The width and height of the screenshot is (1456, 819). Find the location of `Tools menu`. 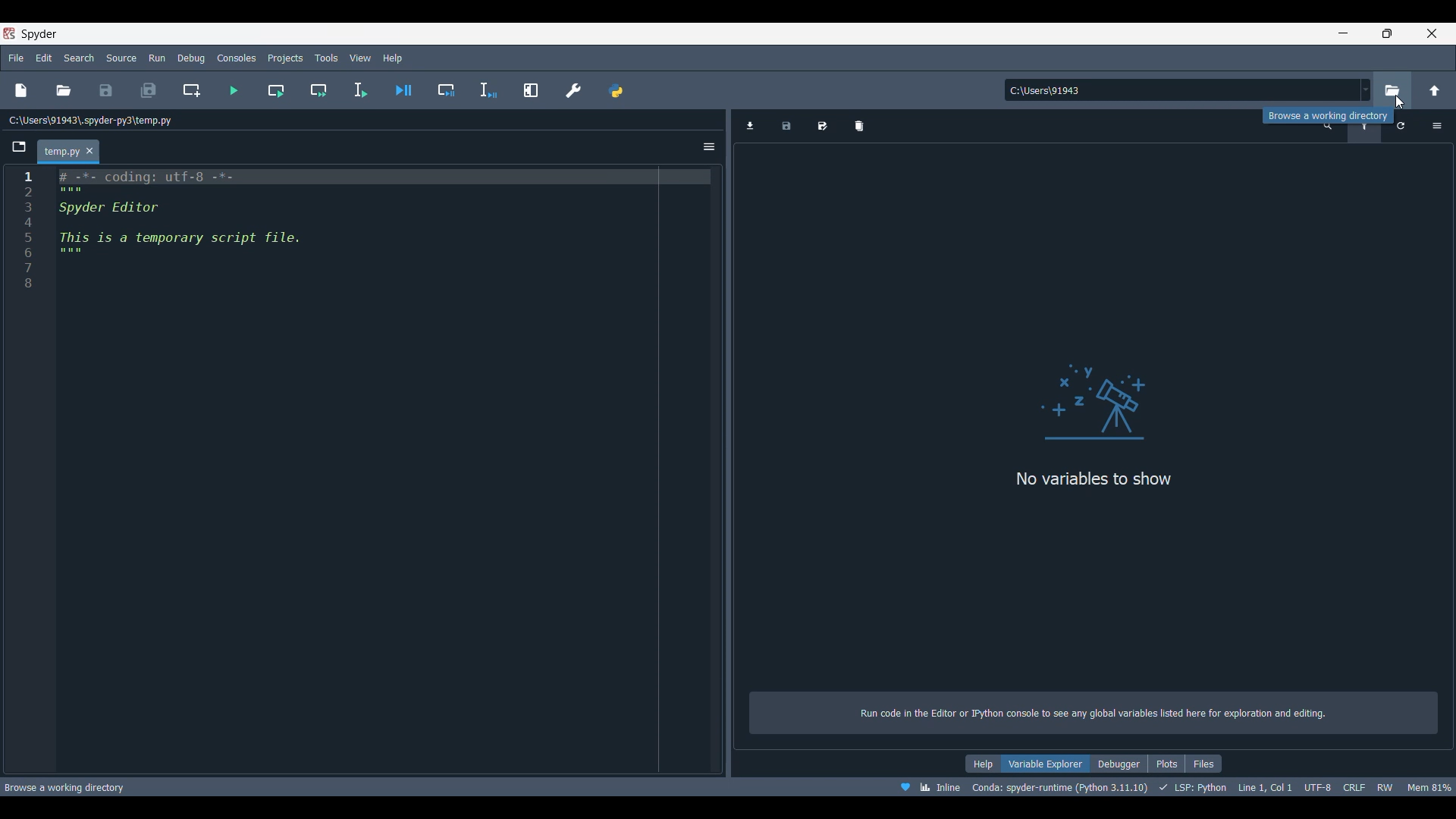

Tools menu is located at coordinates (327, 58).